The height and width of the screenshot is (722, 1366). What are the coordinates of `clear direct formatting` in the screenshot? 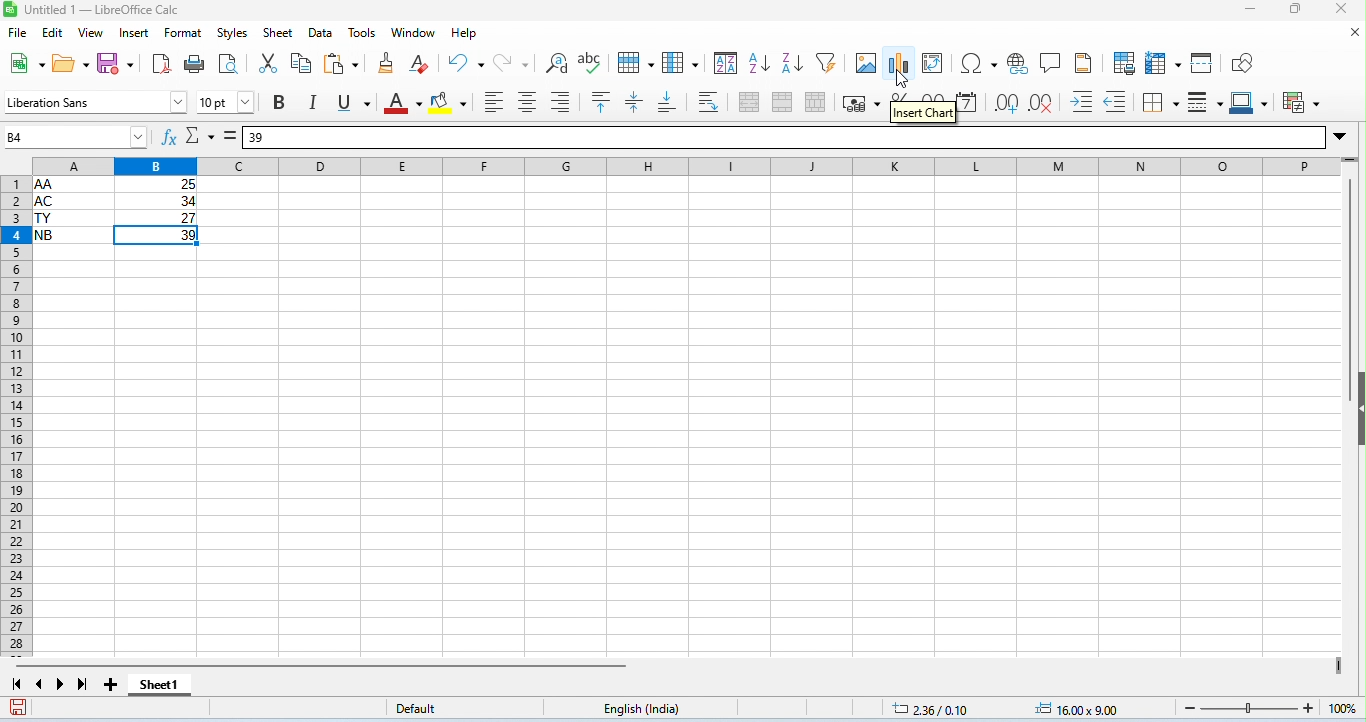 It's located at (419, 64).